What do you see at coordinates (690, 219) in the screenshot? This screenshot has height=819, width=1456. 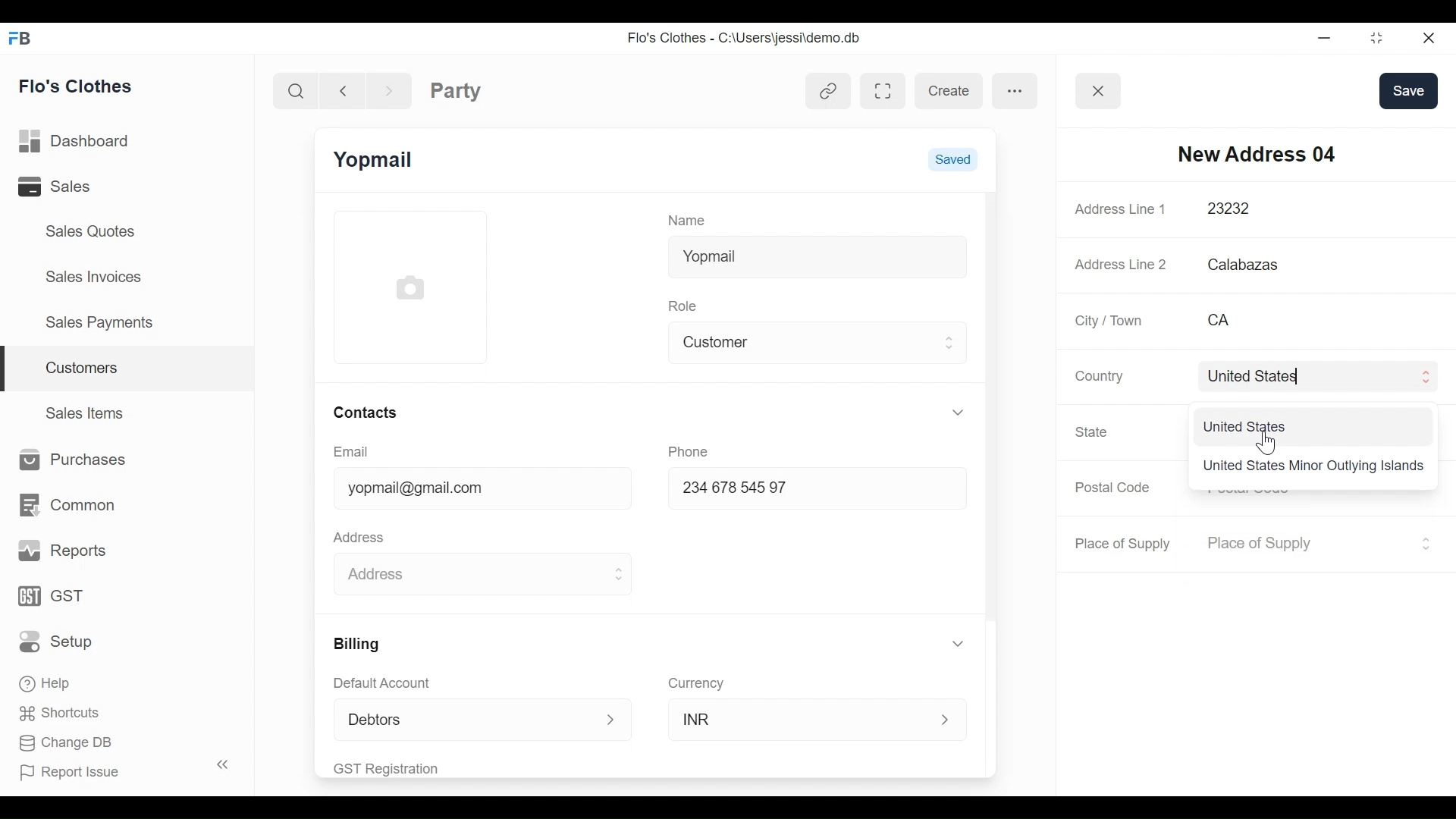 I see `Name` at bounding box center [690, 219].